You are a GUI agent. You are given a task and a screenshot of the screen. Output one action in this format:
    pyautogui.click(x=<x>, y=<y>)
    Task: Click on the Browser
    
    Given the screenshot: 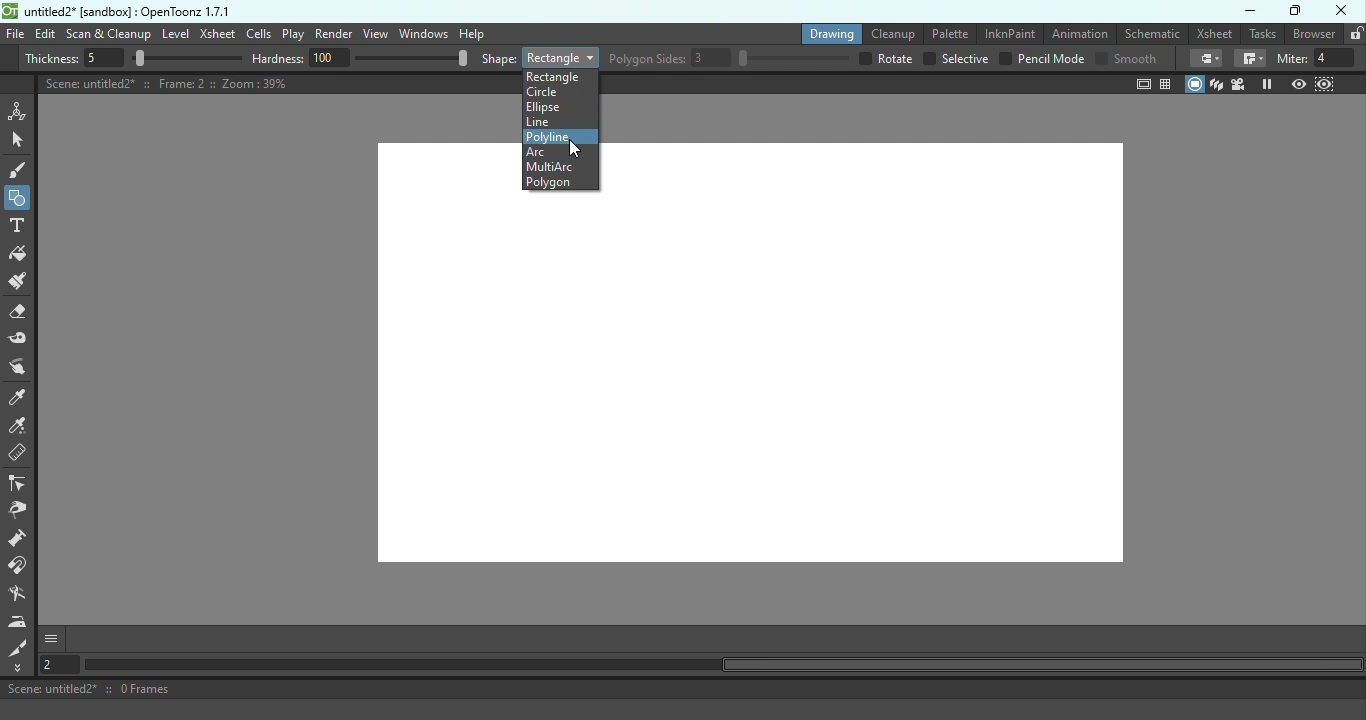 What is the action you would take?
    pyautogui.click(x=1315, y=34)
    